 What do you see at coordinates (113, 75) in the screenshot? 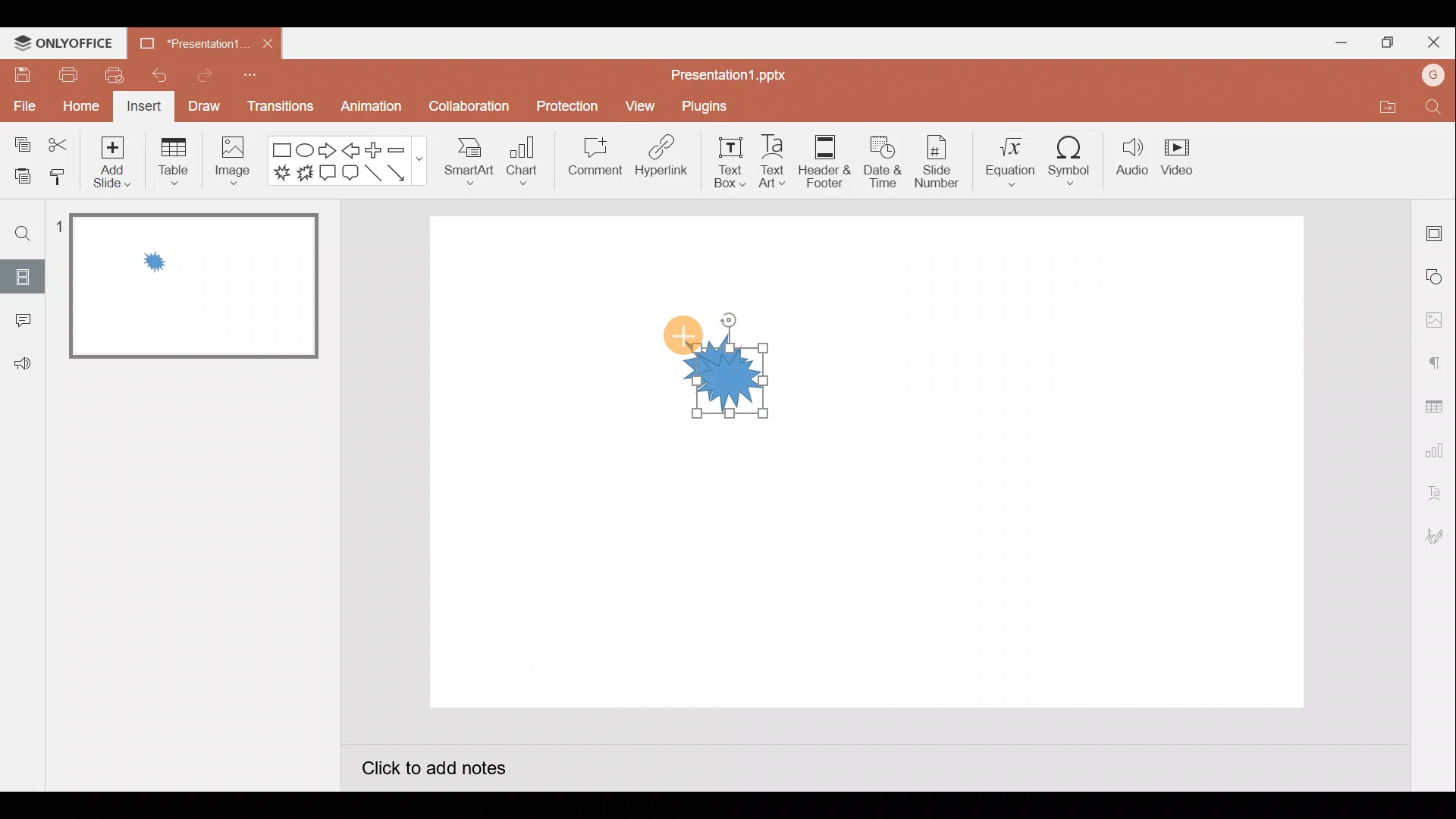
I see `Quick print` at bounding box center [113, 75].